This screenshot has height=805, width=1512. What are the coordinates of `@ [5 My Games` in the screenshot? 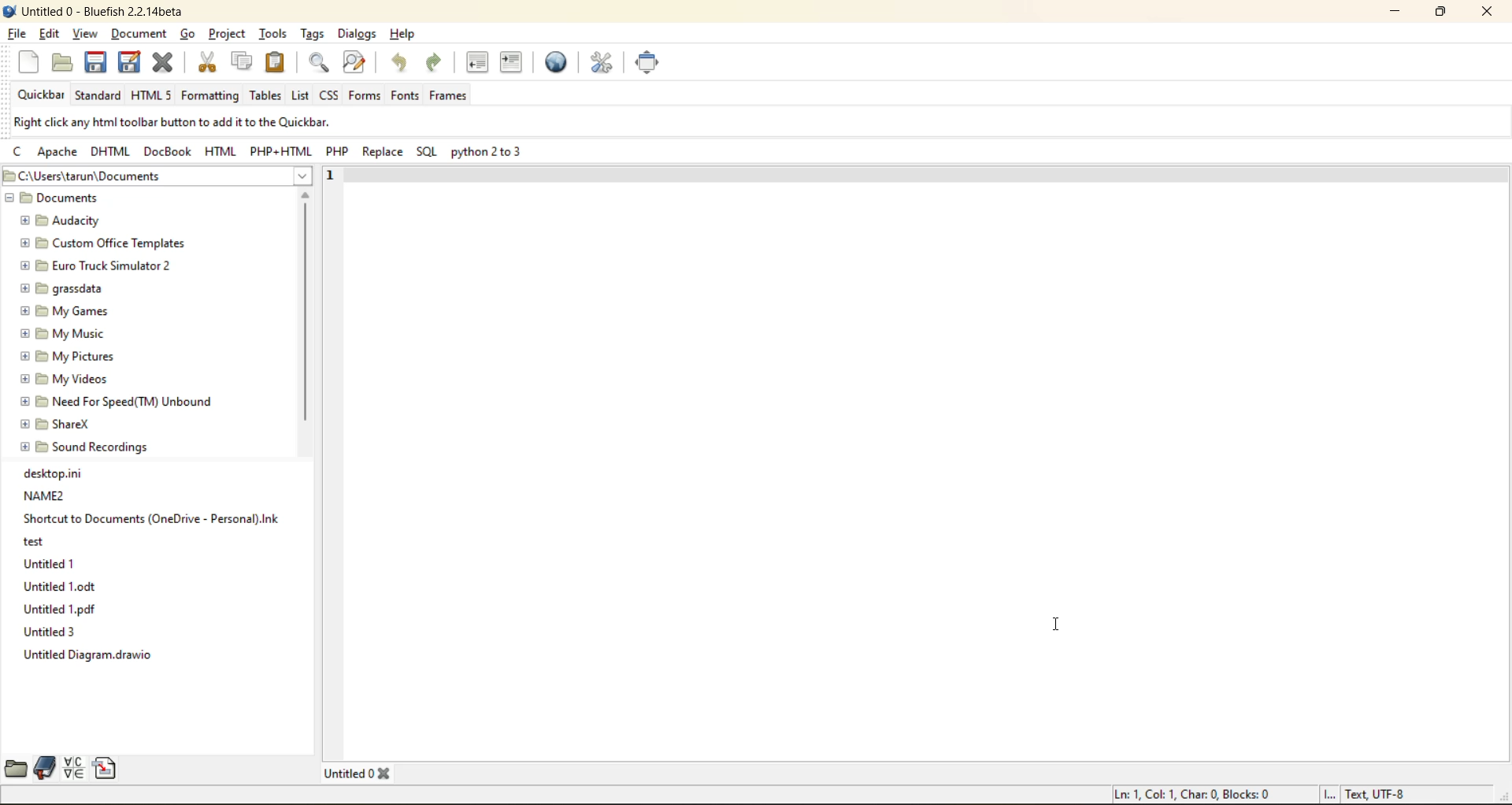 It's located at (62, 310).